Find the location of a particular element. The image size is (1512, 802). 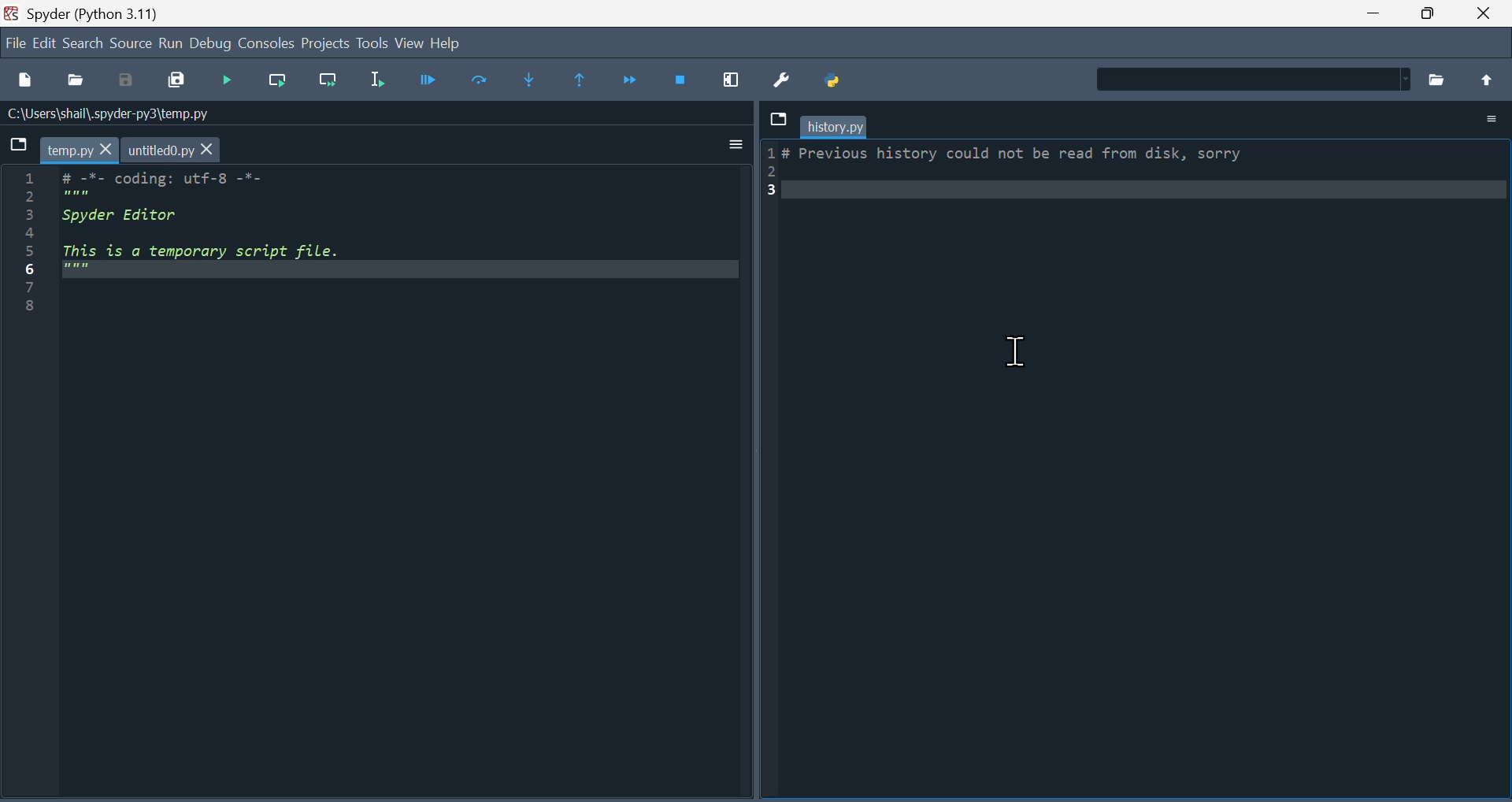

history.py is located at coordinates (834, 127).